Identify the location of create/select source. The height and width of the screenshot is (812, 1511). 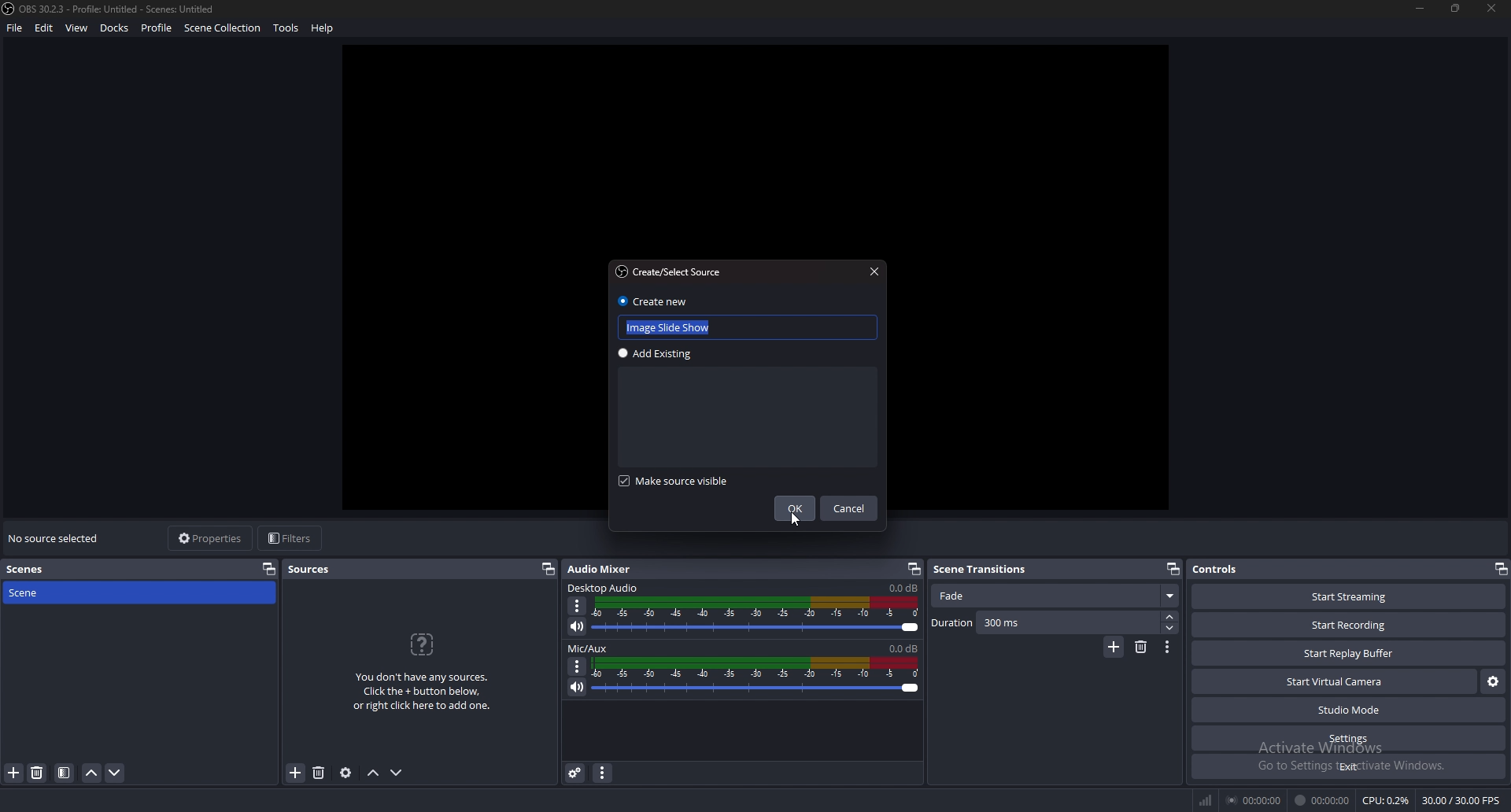
(671, 270).